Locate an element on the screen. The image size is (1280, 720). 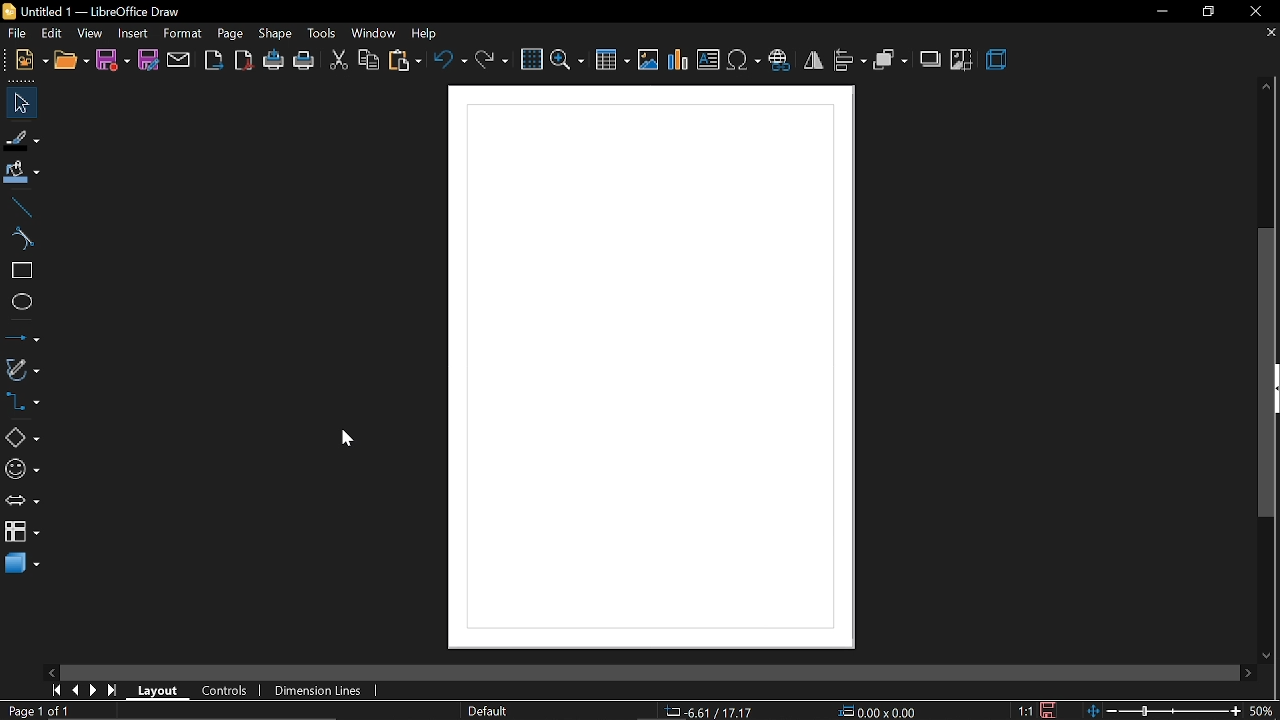
paste is located at coordinates (405, 62).